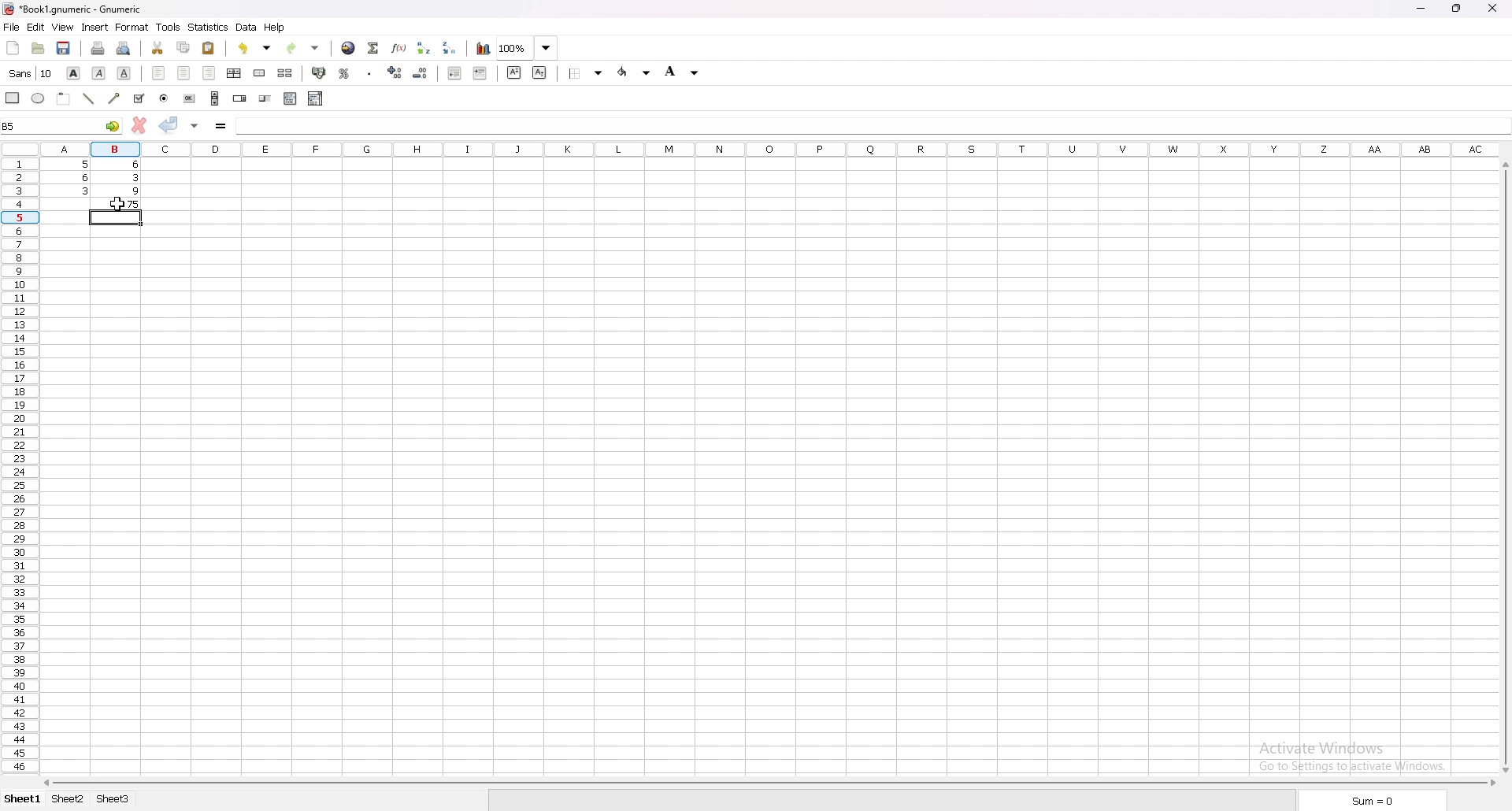  What do you see at coordinates (373, 48) in the screenshot?
I see `summation` at bounding box center [373, 48].